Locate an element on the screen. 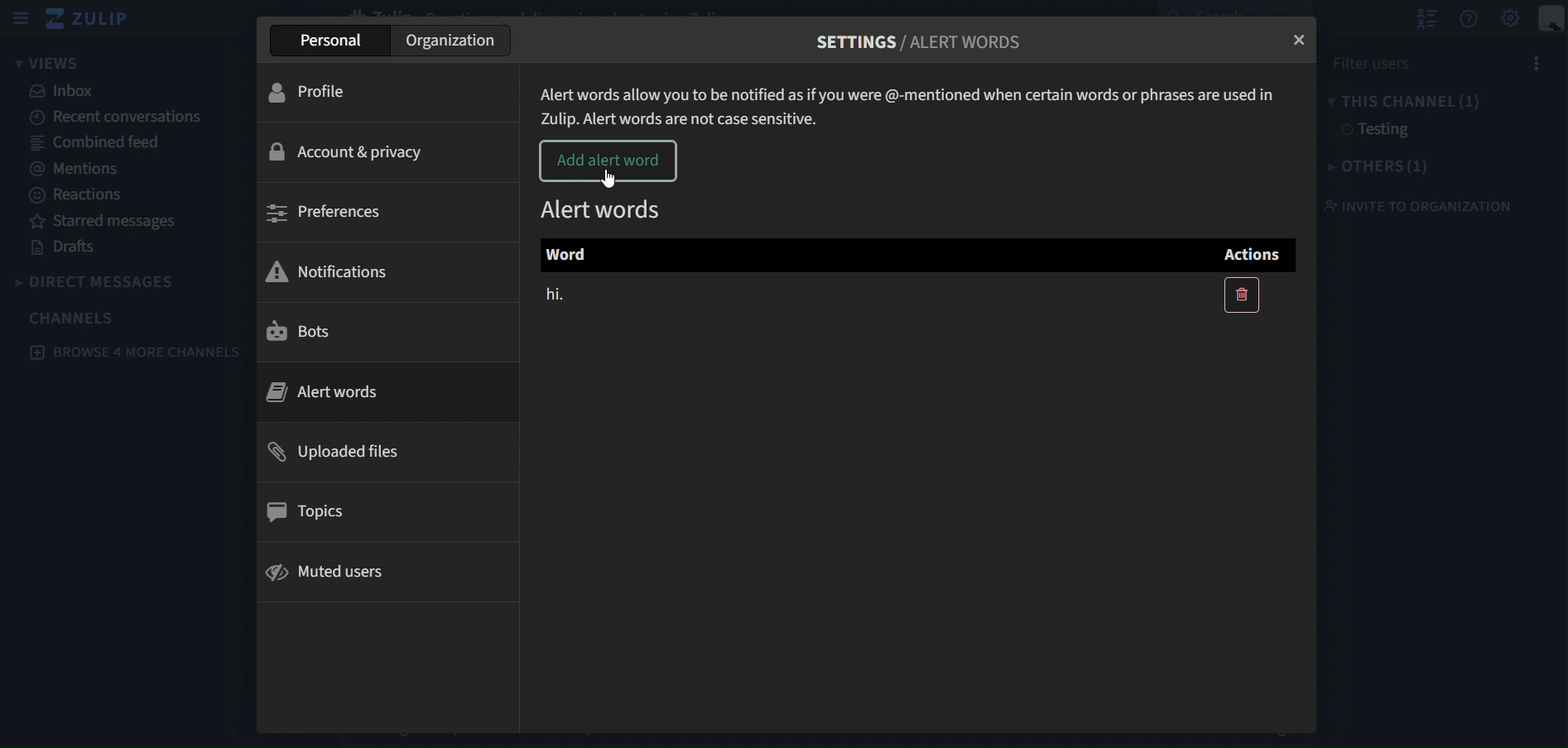 This screenshot has height=748, width=1568. recent conversations is located at coordinates (112, 117).